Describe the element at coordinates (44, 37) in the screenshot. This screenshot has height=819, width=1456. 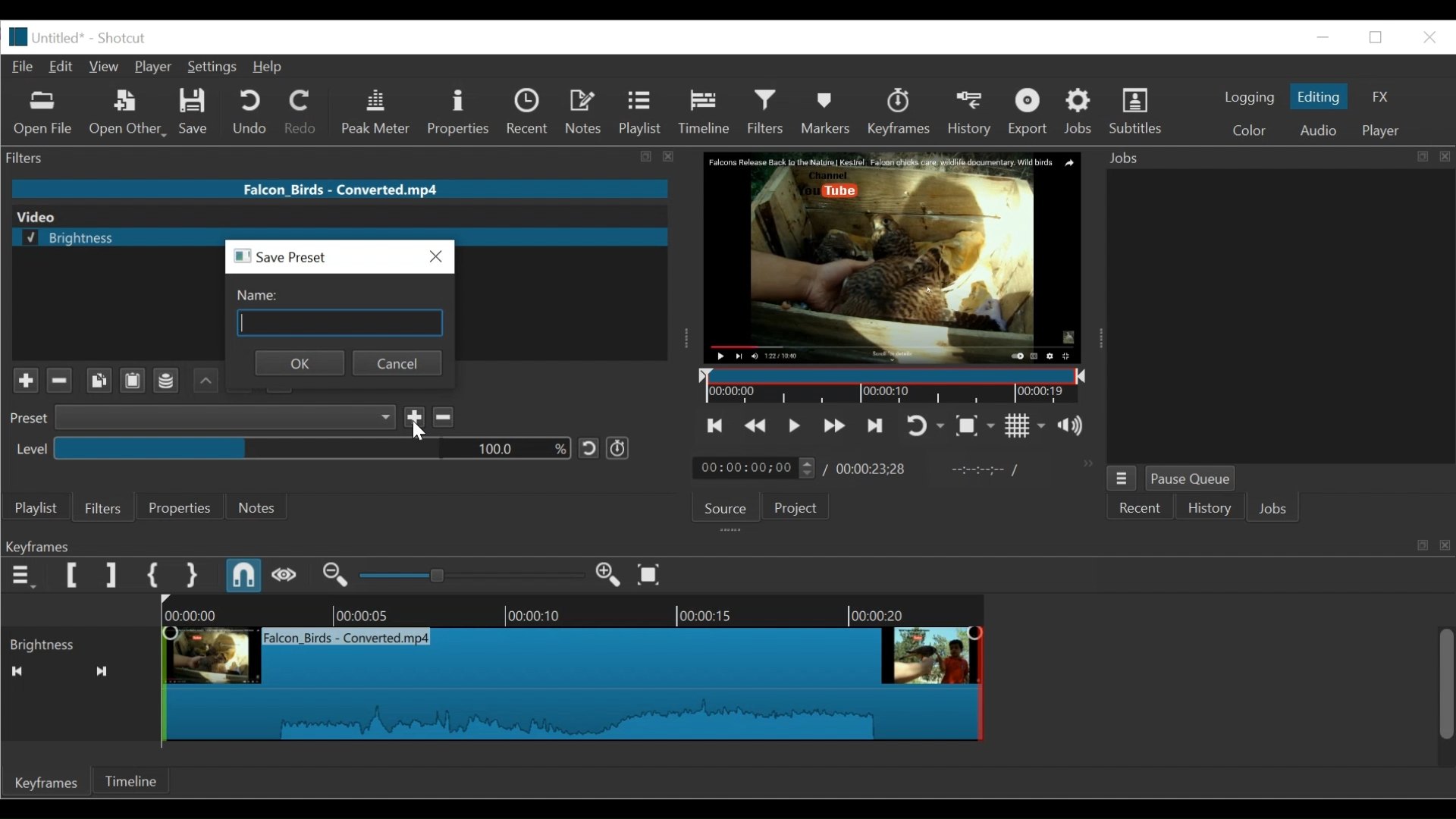
I see `File Name` at that location.